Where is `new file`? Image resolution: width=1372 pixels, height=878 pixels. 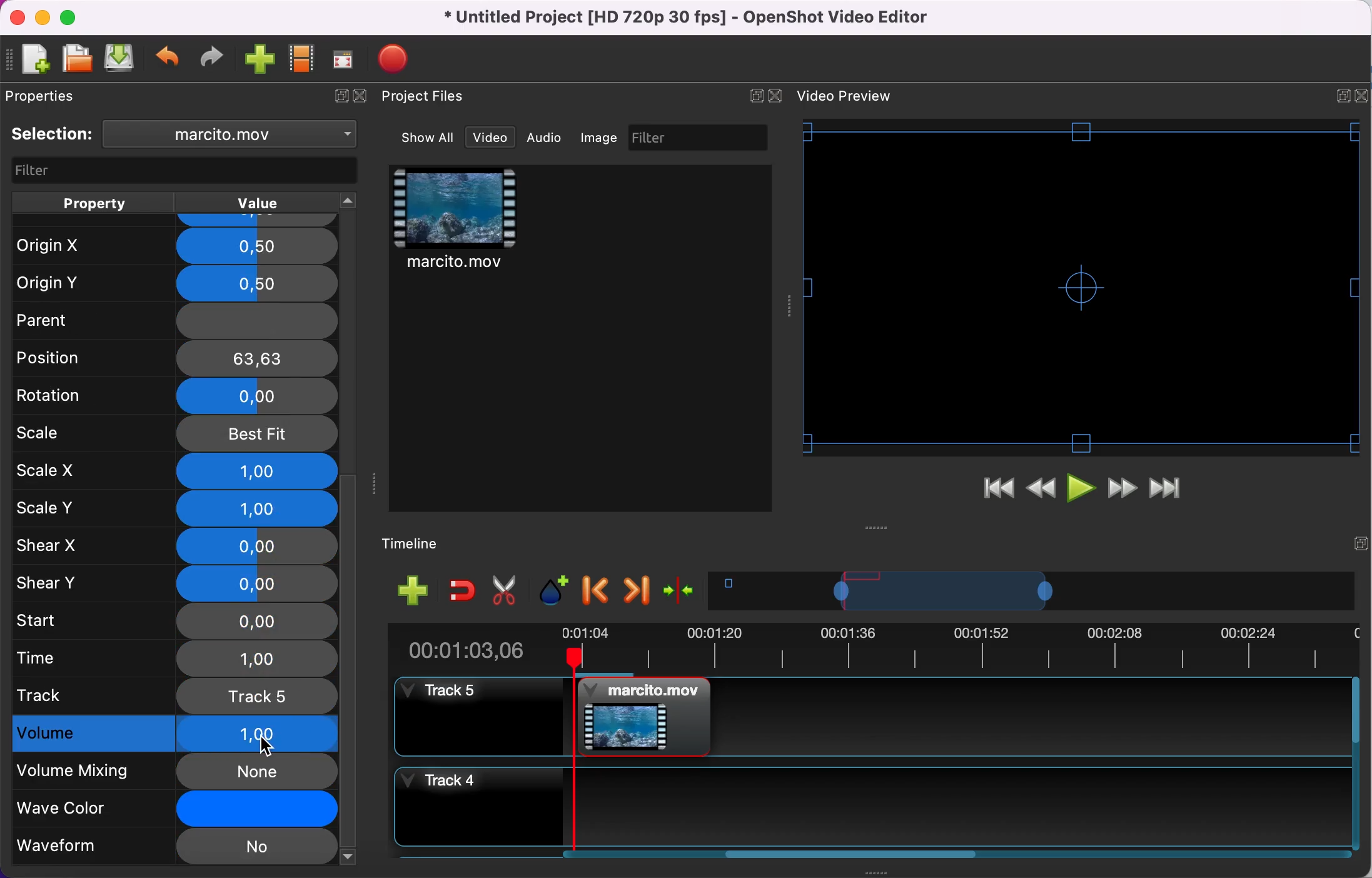 new file is located at coordinates (30, 61).